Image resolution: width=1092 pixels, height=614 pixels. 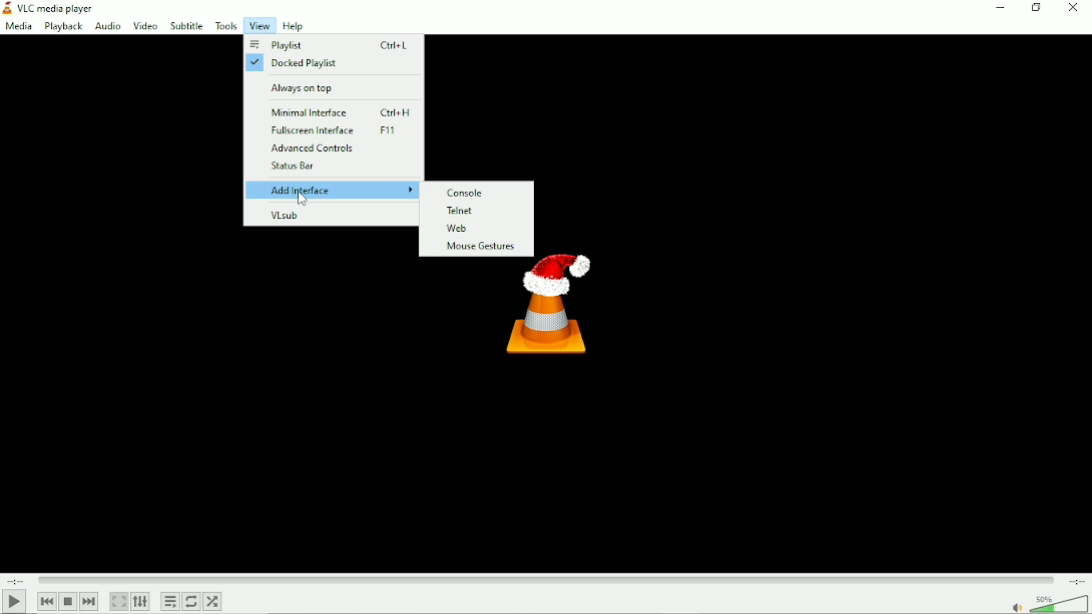 What do you see at coordinates (1074, 9) in the screenshot?
I see `Close` at bounding box center [1074, 9].